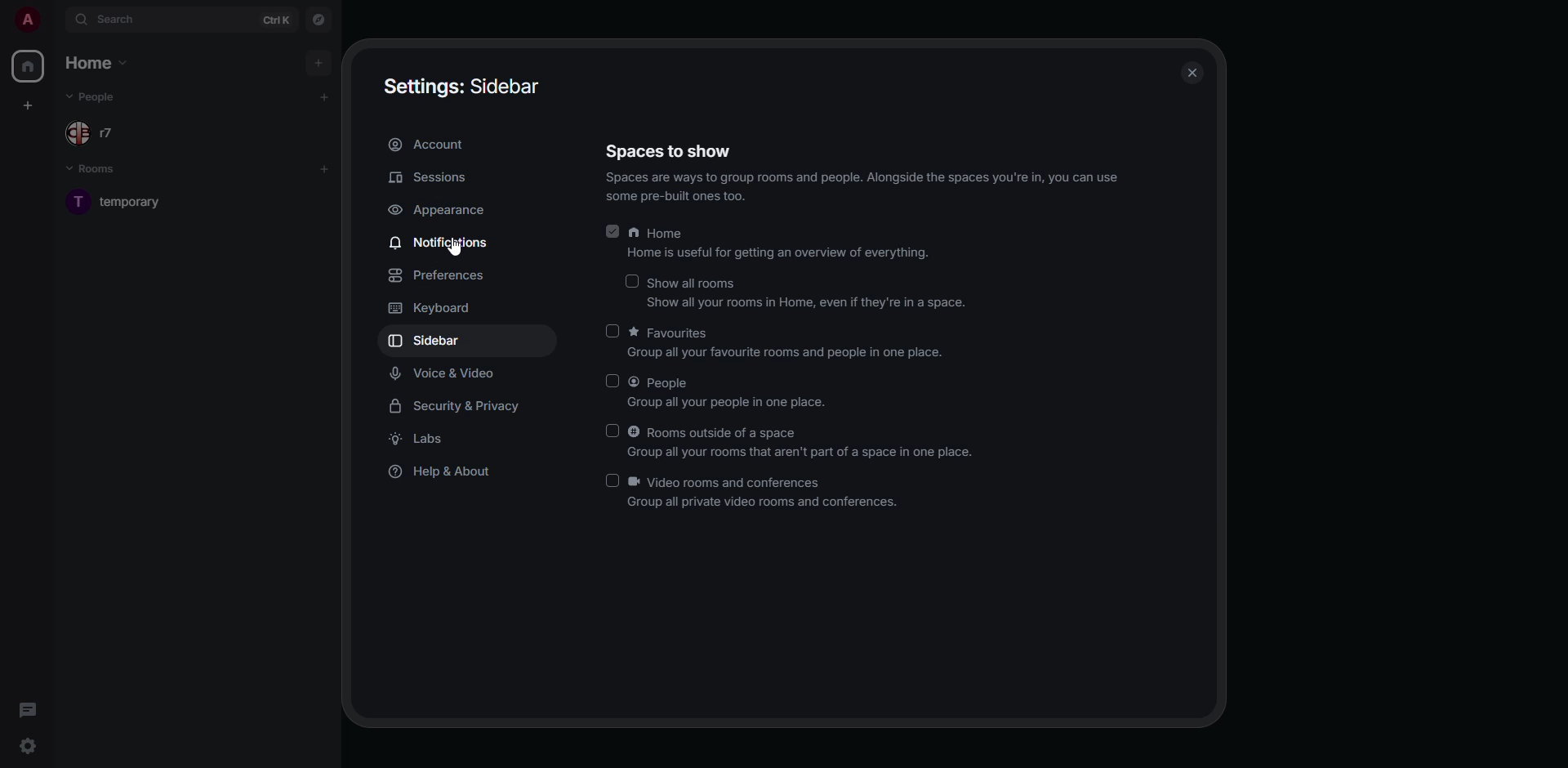 This screenshot has height=768, width=1568. What do you see at coordinates (443, 243) in the screenshot?
I see `notifications` at bounding box center [443, 243].